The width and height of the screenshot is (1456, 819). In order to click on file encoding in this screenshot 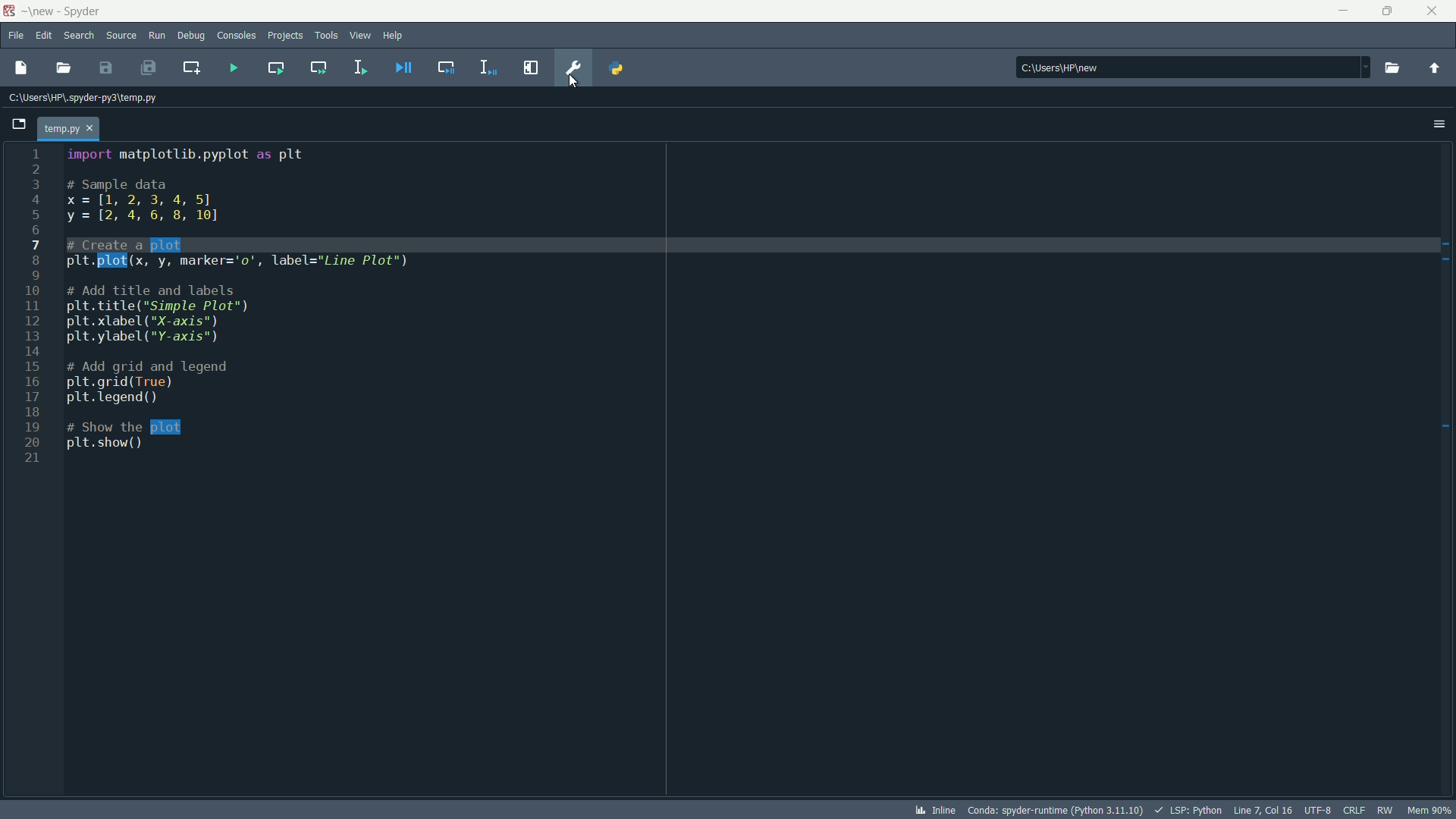, I will do `click(1320, 810)`.